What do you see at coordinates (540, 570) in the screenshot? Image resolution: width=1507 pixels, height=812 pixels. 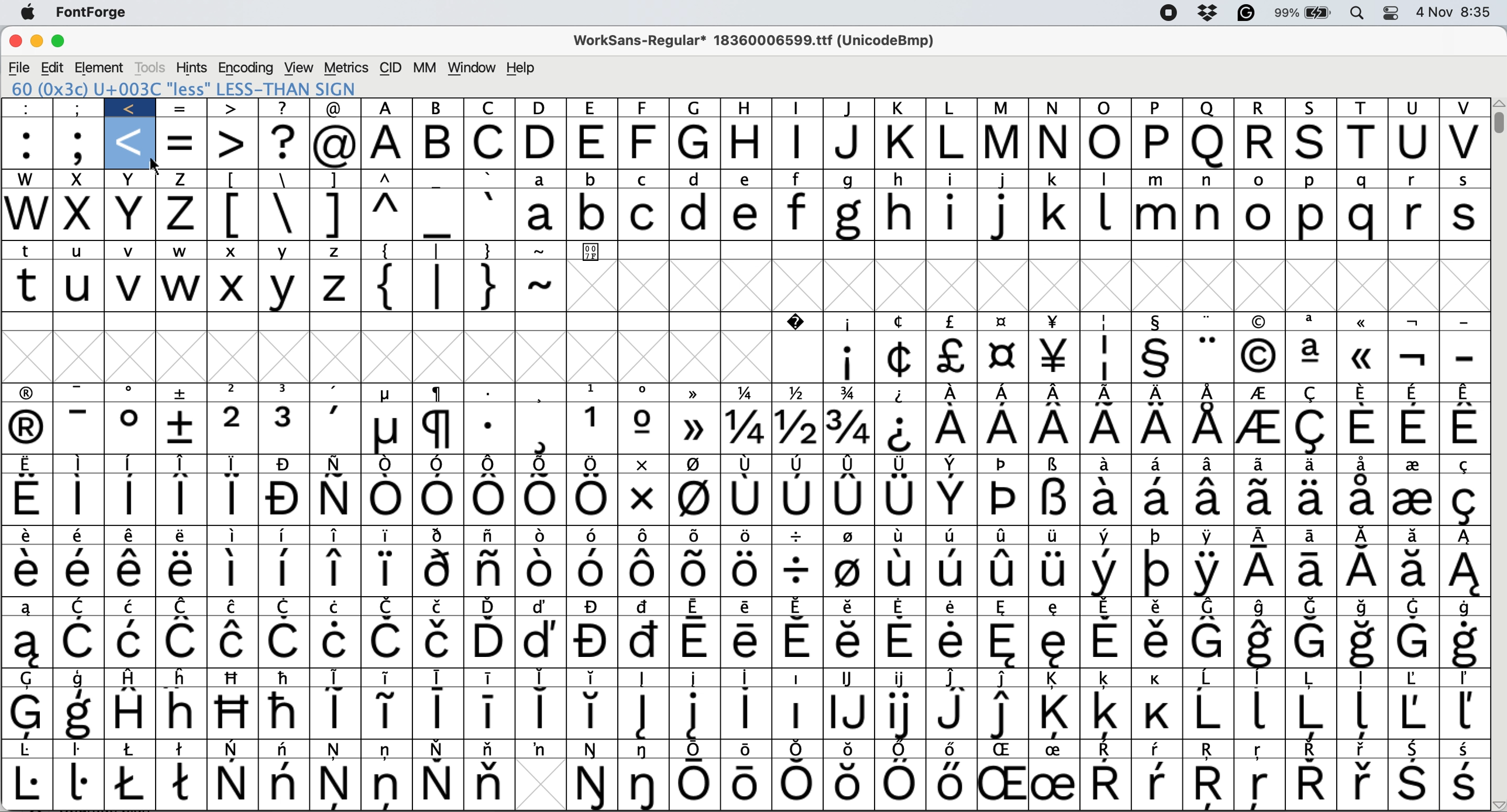 I see `Symbol` at bounding box center [540, 570].